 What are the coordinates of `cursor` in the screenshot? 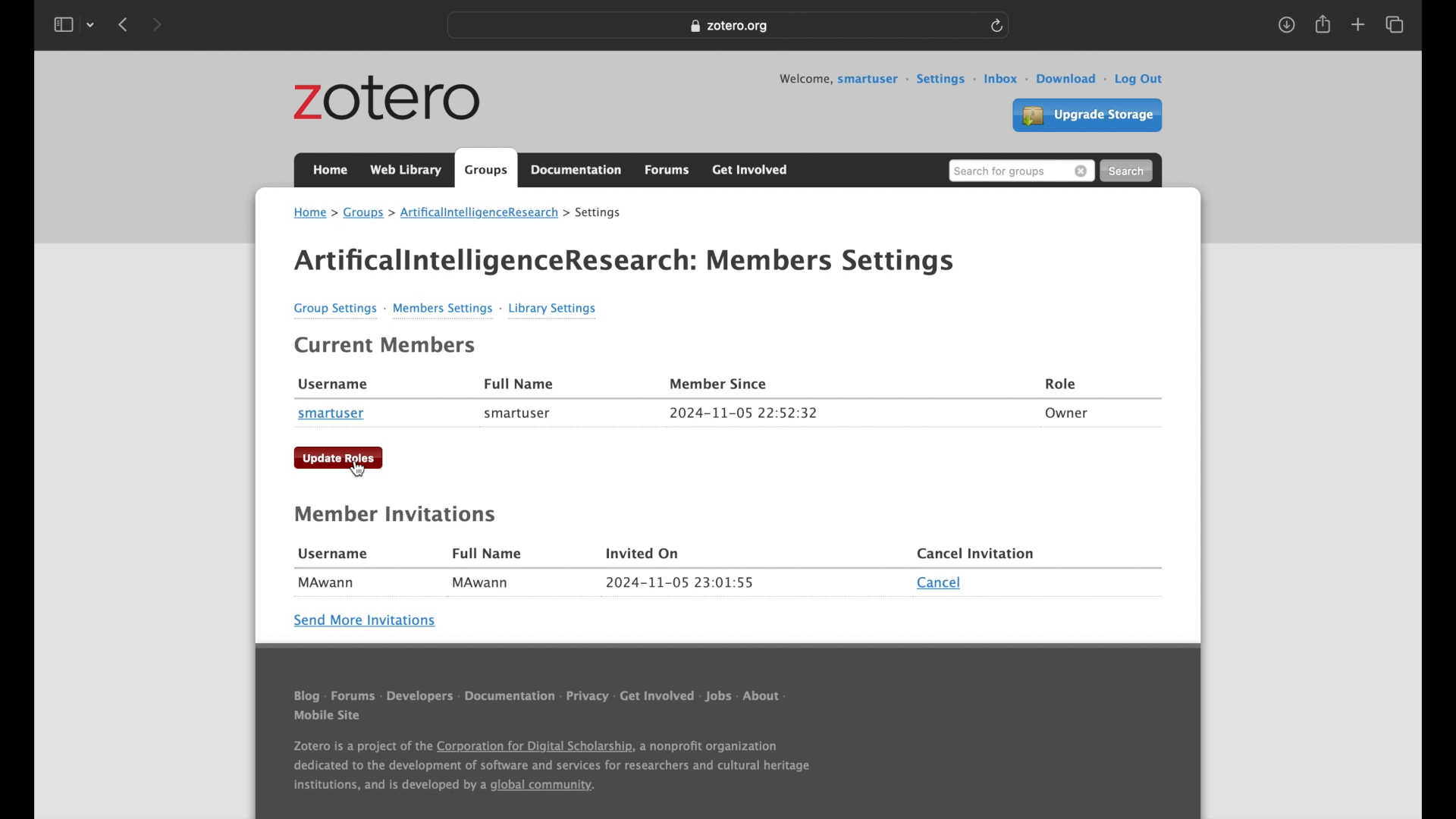 It's located at (356, 469).